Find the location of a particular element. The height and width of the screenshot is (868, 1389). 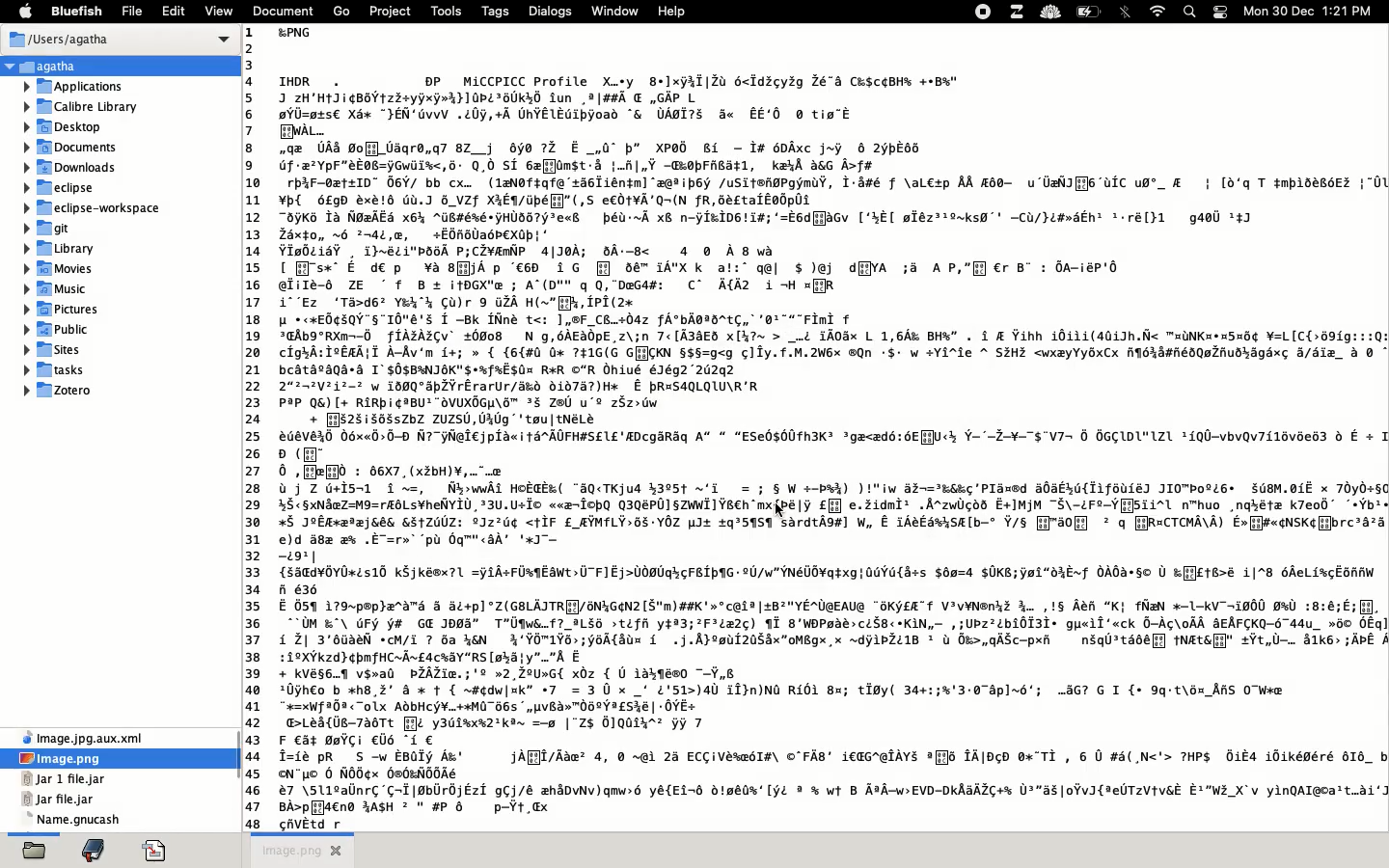

project is located at coordinates (393, 11).